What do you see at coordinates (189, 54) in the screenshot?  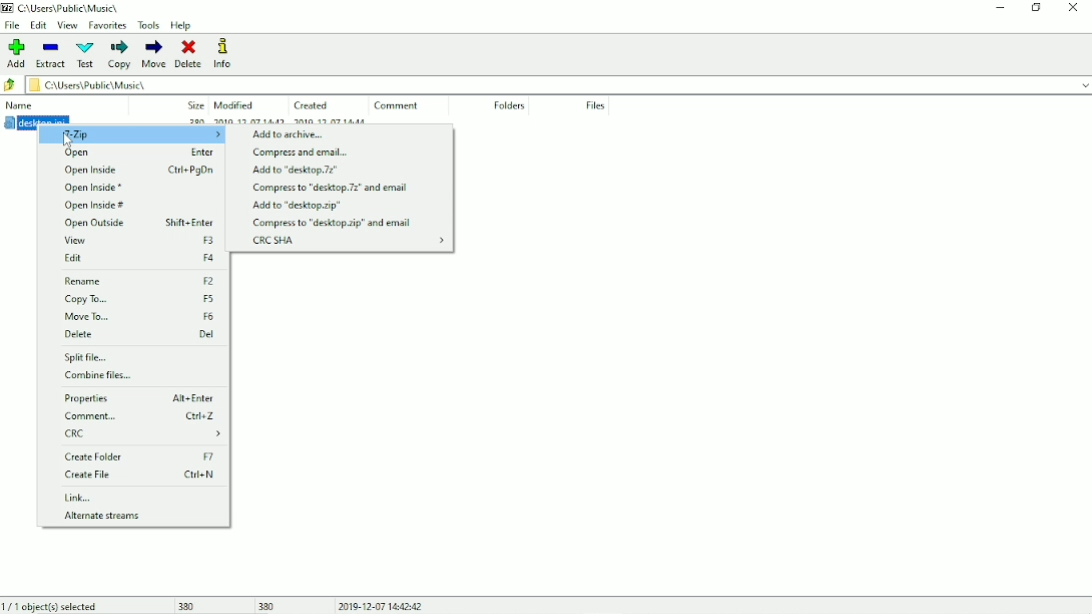 I see `Delete` at bounding box center [189, 54].